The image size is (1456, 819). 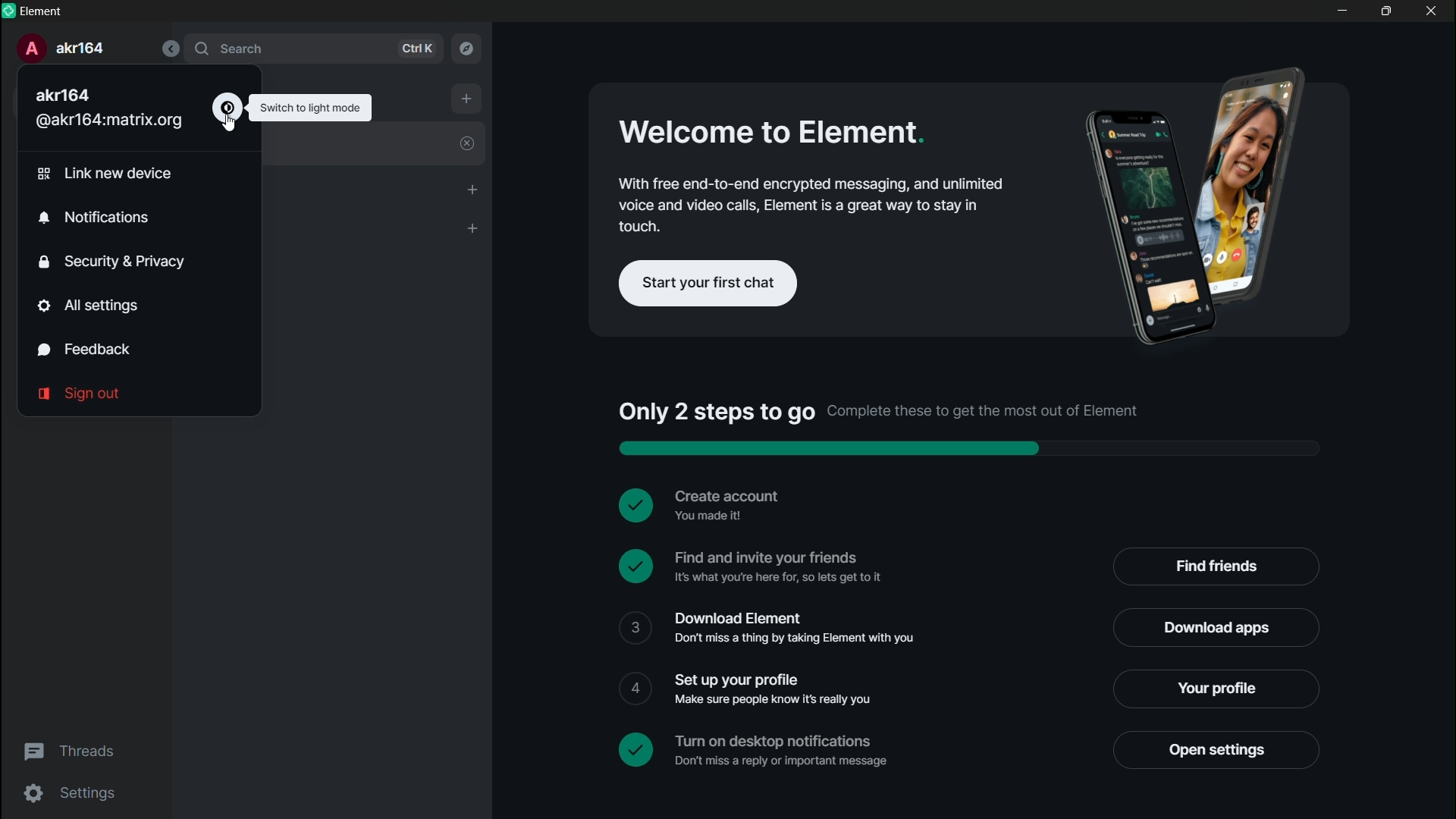 What do you see at coordinates (472, 229) in the screenshot?
I see `add room` at bounding box center [472, 229].